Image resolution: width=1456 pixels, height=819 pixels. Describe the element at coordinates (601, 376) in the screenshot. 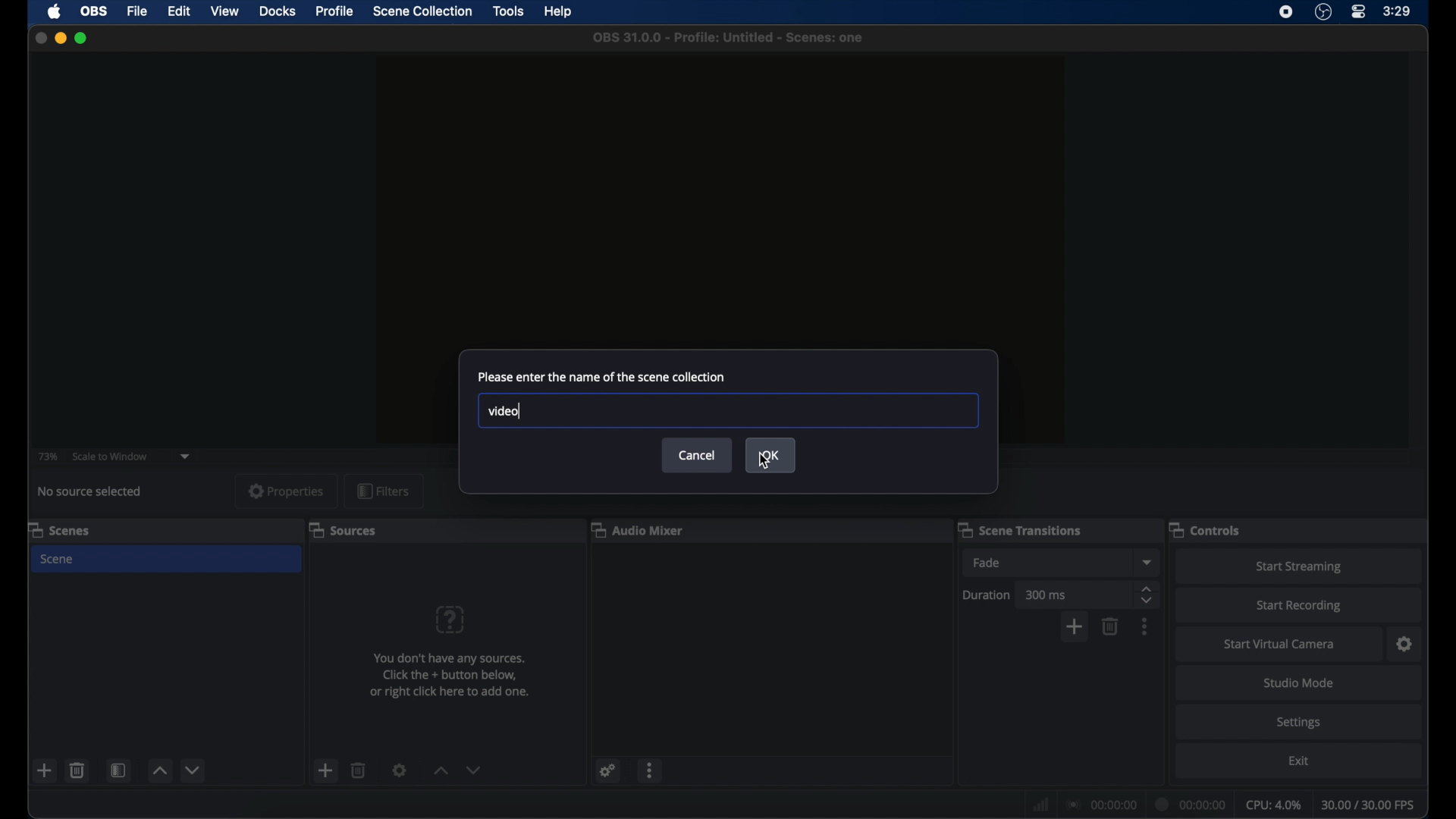

I see `please enter the name of the scene collection` at that location.